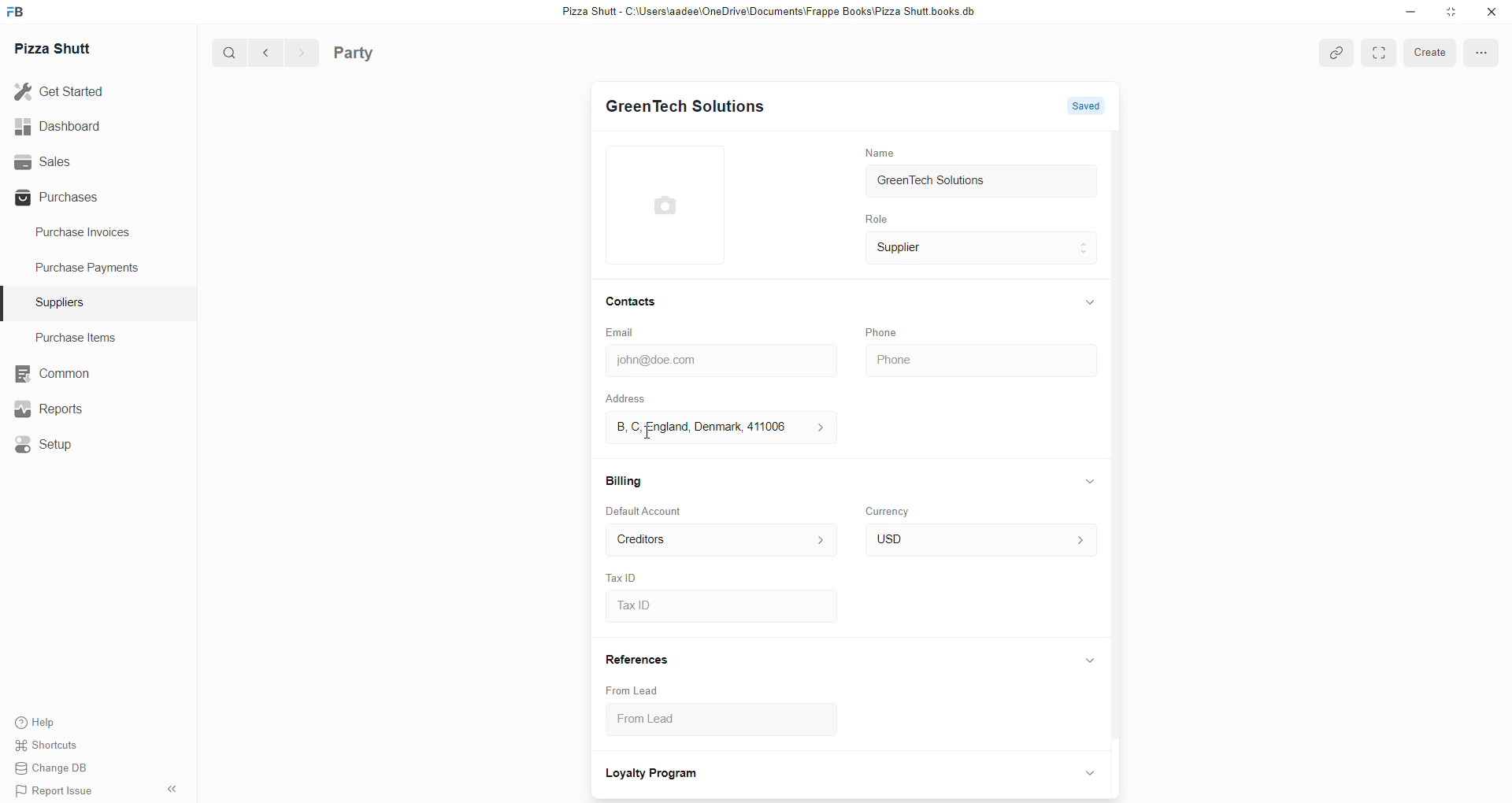 This screenshot has height=803, width=1512. Describe the element at coordinates (1085, 104) in the screenshot. I see `Saved` at that location.